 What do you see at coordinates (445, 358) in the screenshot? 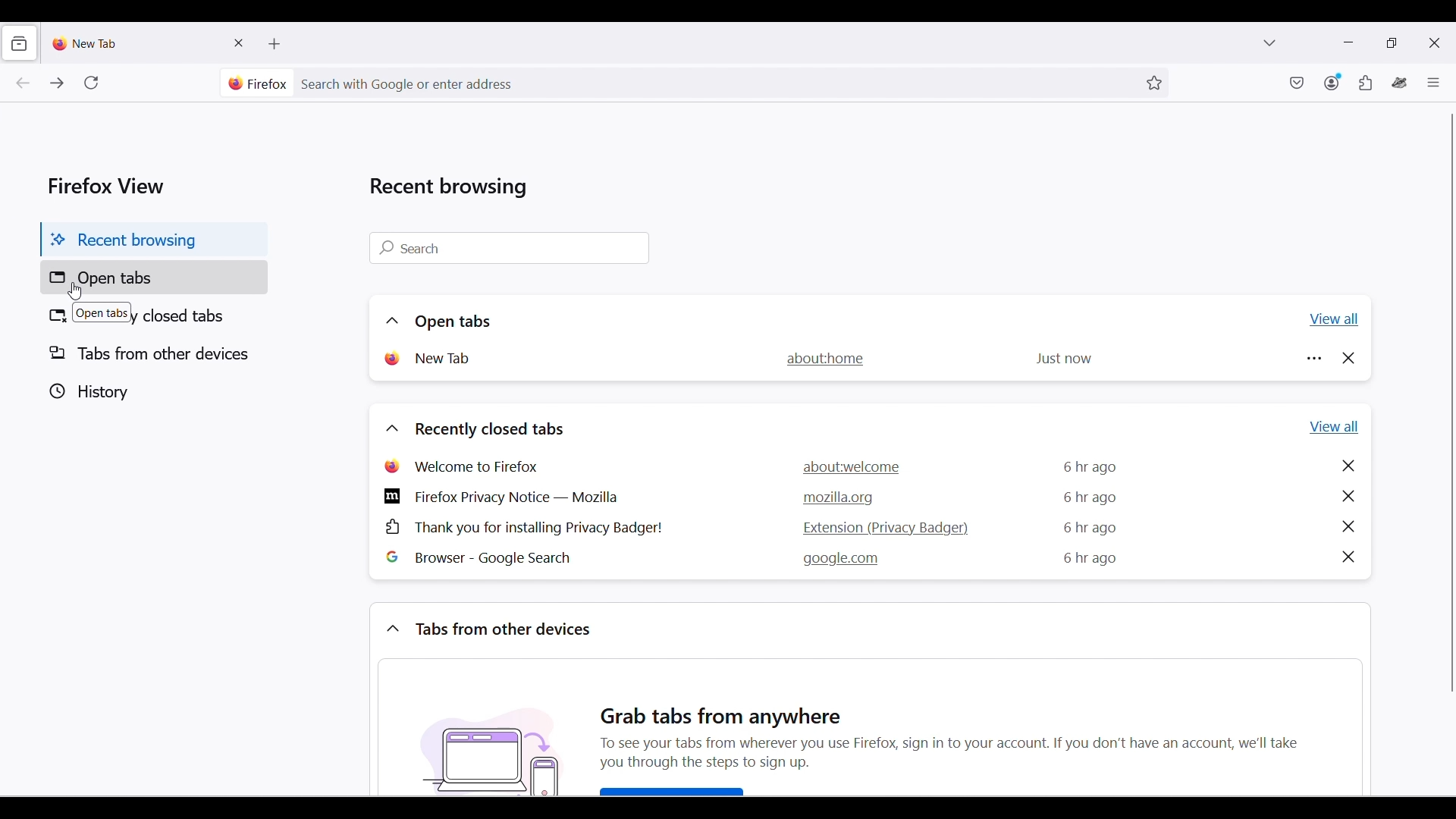
I see `Name of tab` at bounding box center [445, 358].